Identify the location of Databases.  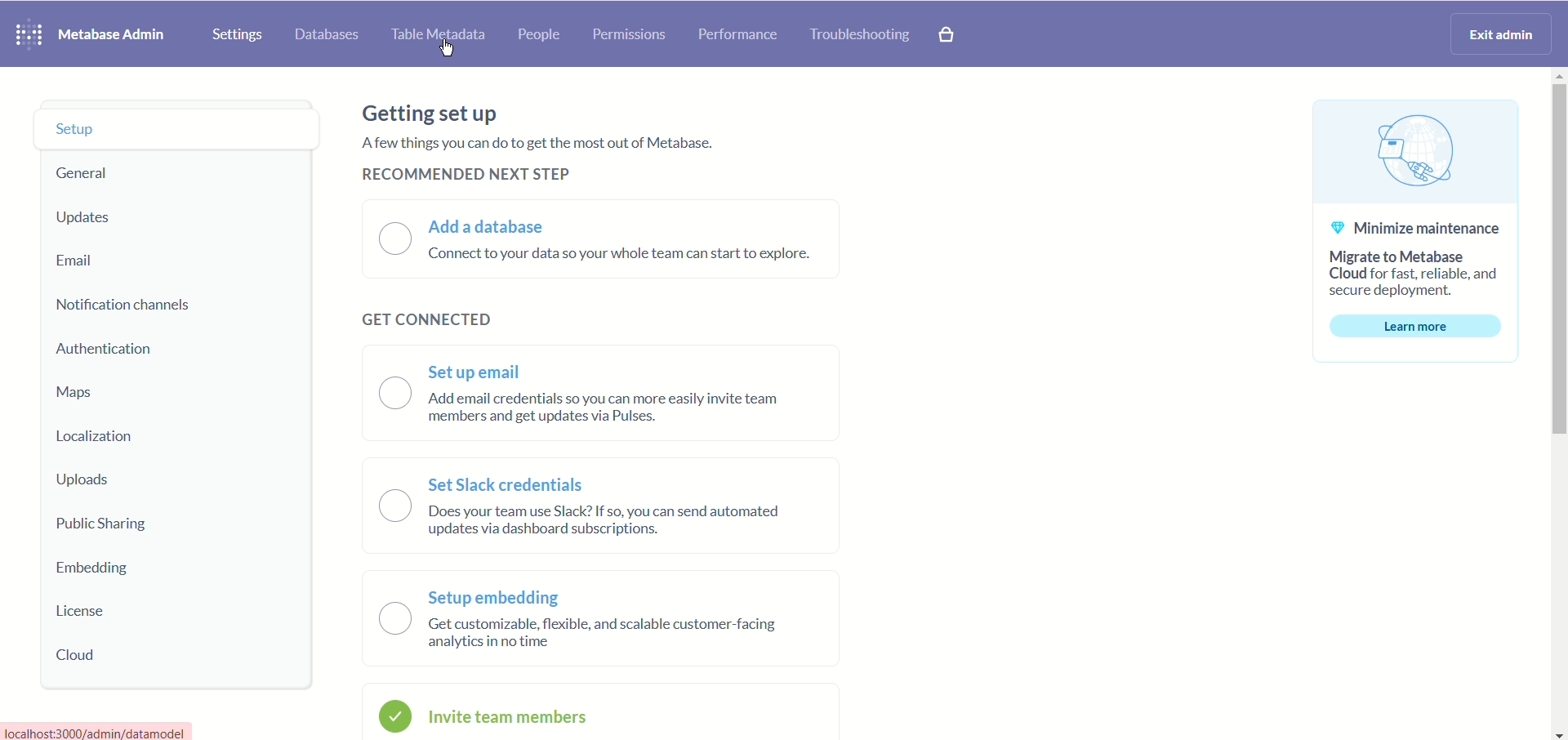
(329, 32).